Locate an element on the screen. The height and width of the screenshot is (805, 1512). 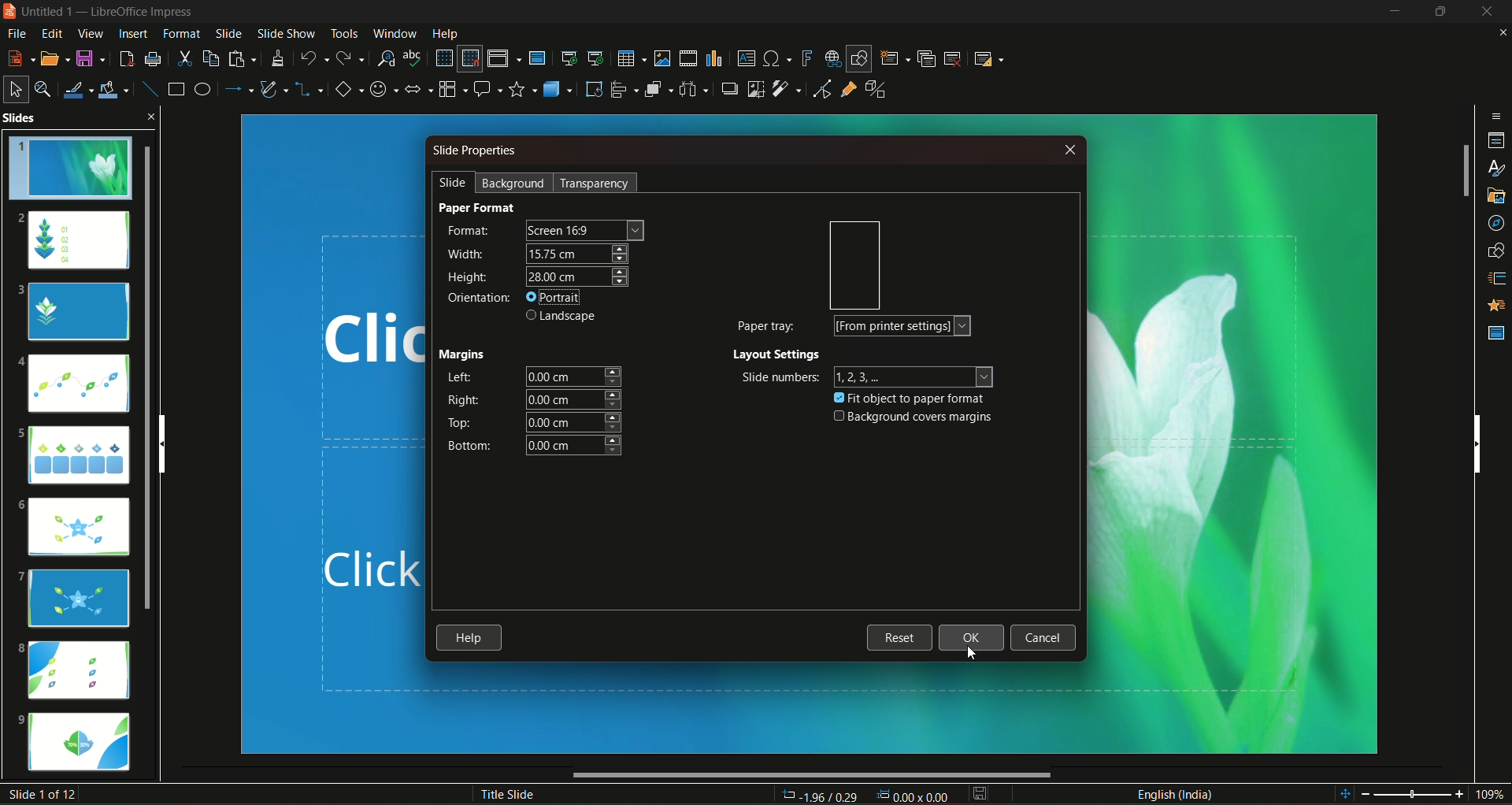
minimize is located at coordinates (1392, 13).